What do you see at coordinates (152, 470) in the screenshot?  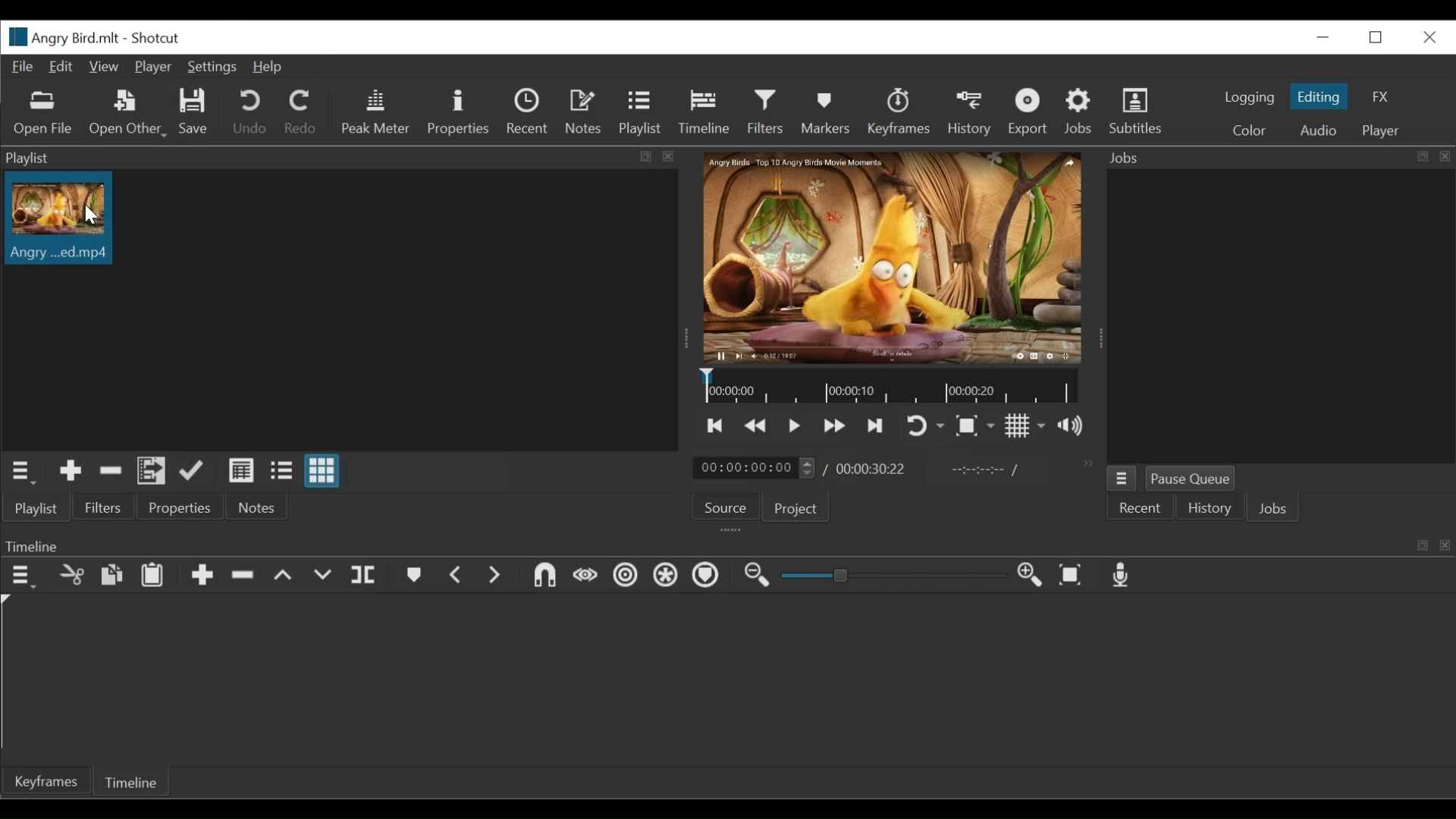 I see `Add filesto the playlist` at bounding box center [152, 470].